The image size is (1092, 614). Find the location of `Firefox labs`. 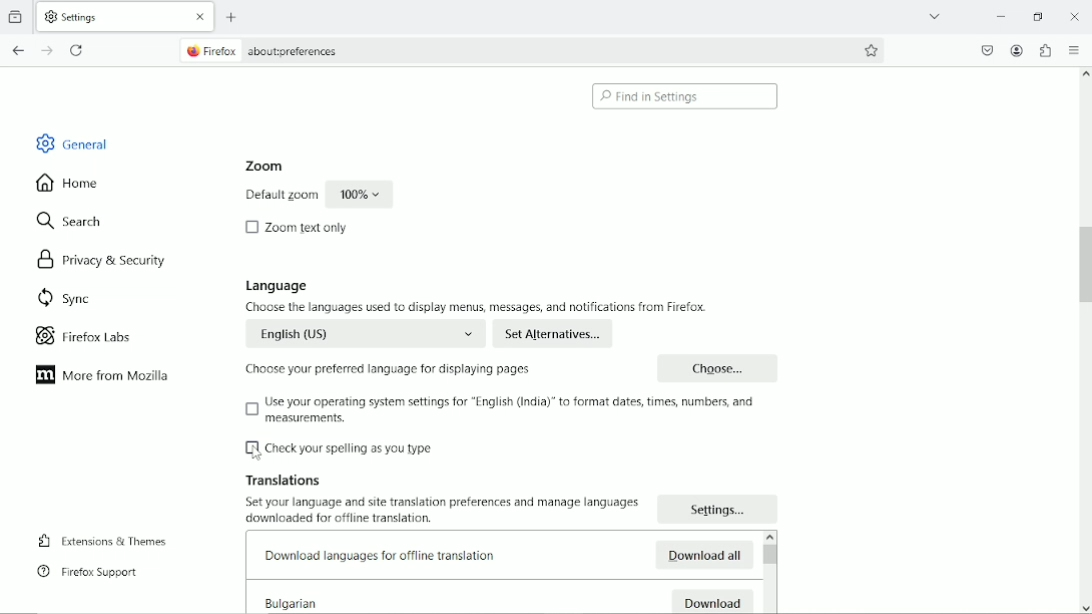

Firefox labs is located at coordinates (83, 335).